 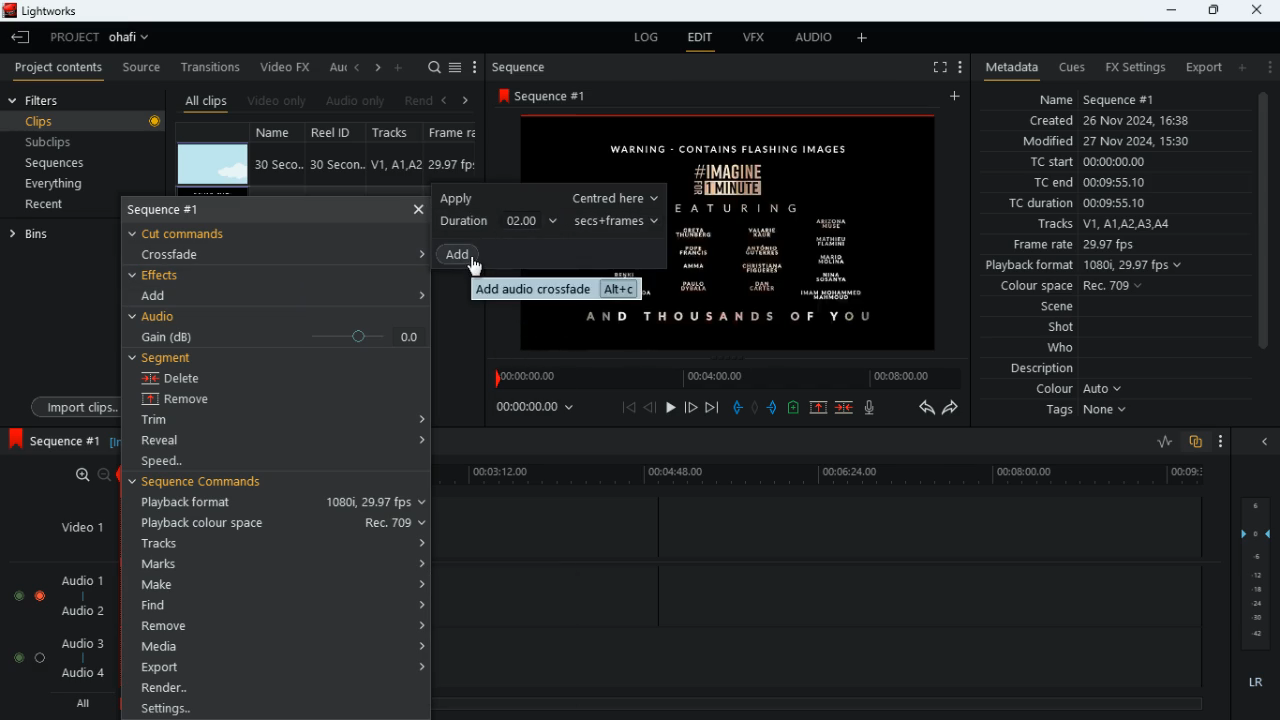 What do you see at coordinates (1091, 203) in the screenshot?
I see `tc duration` at bounding box center [1091, 203].